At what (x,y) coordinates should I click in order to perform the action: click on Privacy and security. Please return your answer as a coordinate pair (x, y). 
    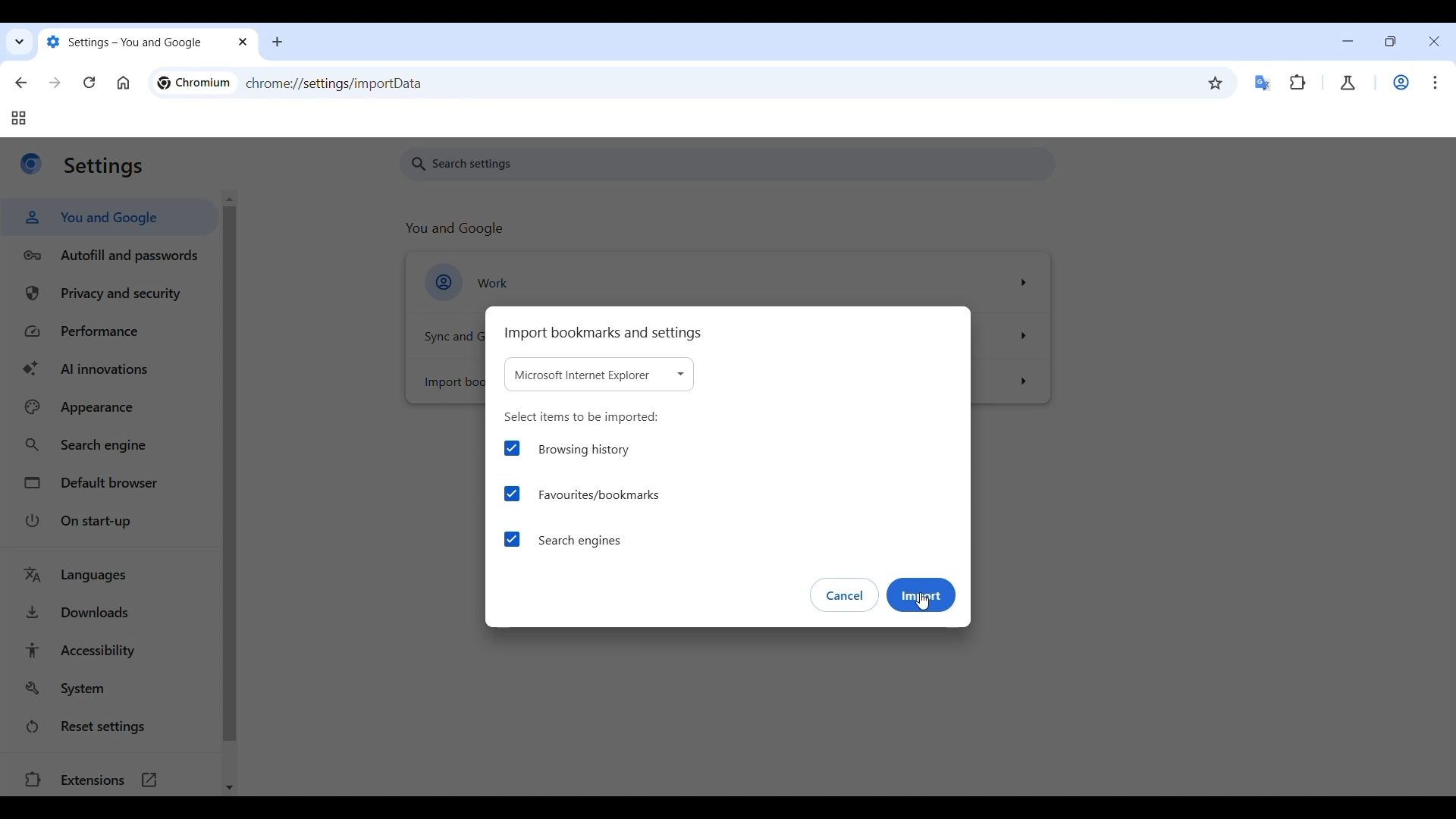
    Looking at the image, I should click on (113, 293).